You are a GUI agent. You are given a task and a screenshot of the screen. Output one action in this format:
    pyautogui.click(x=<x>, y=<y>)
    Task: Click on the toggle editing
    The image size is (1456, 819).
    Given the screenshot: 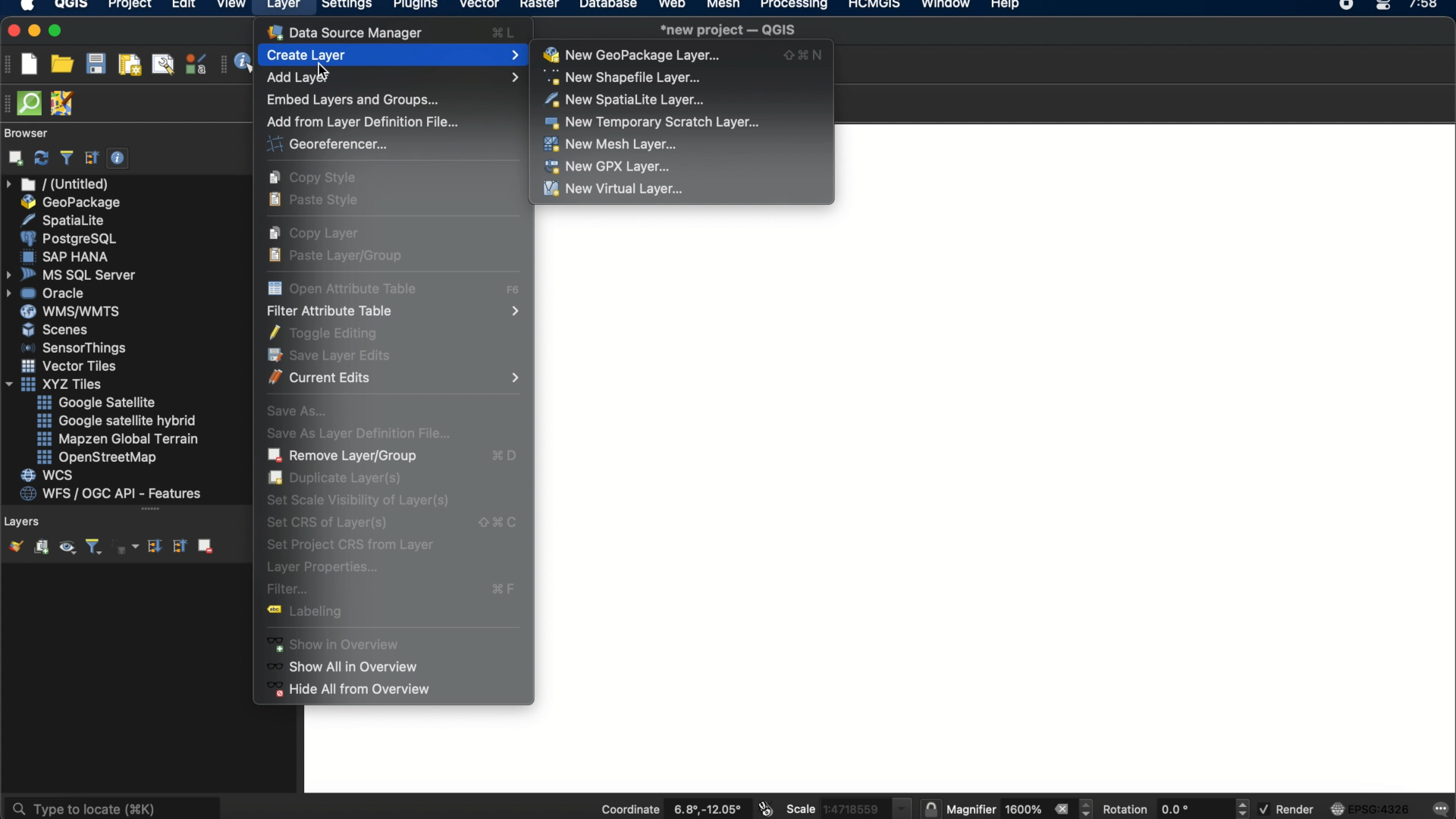 What is the action you would take?
    pyautogui.click(x=322, y=332)
    